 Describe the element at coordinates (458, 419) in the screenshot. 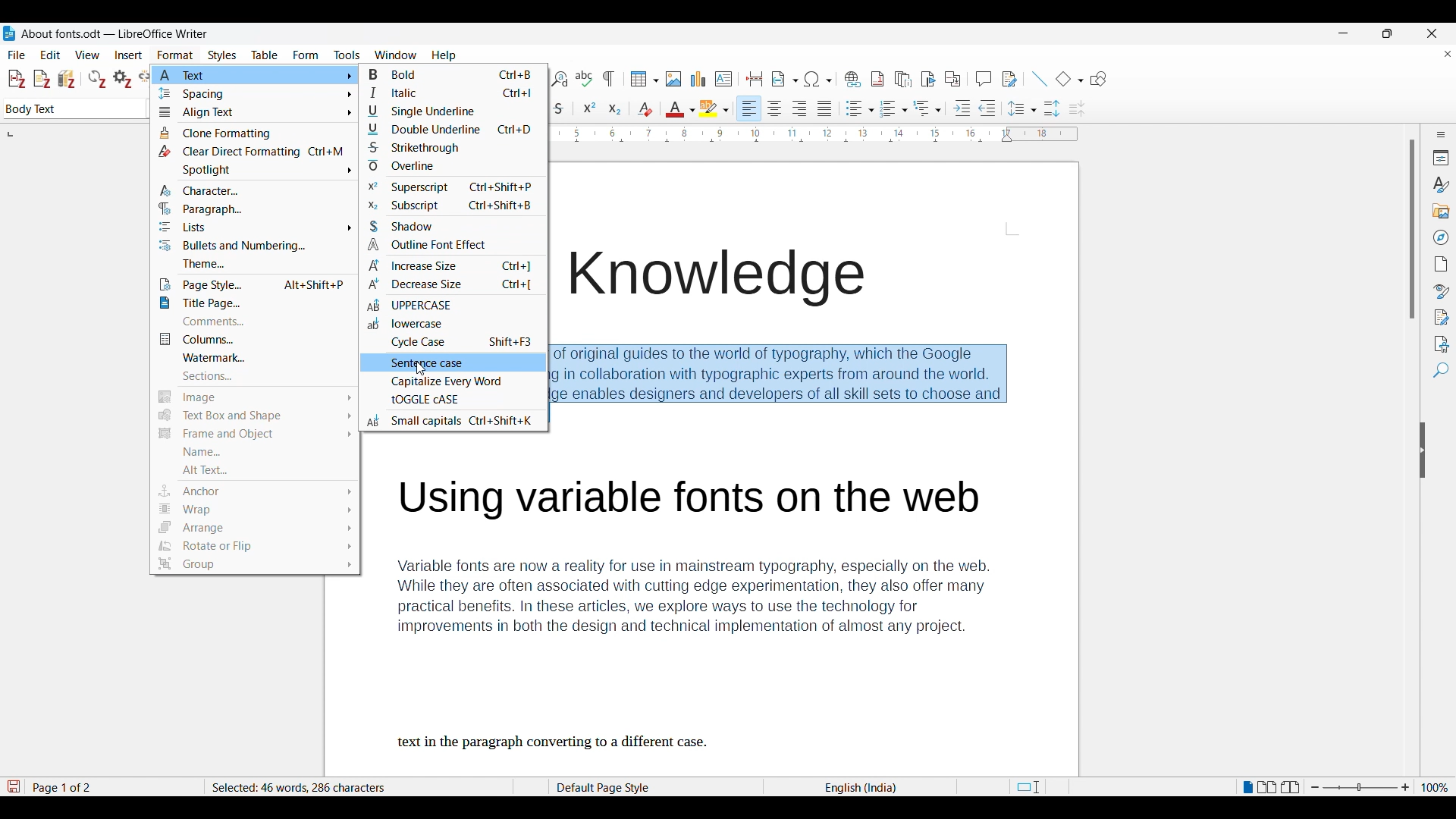

I see `Small Capitals` at that location.